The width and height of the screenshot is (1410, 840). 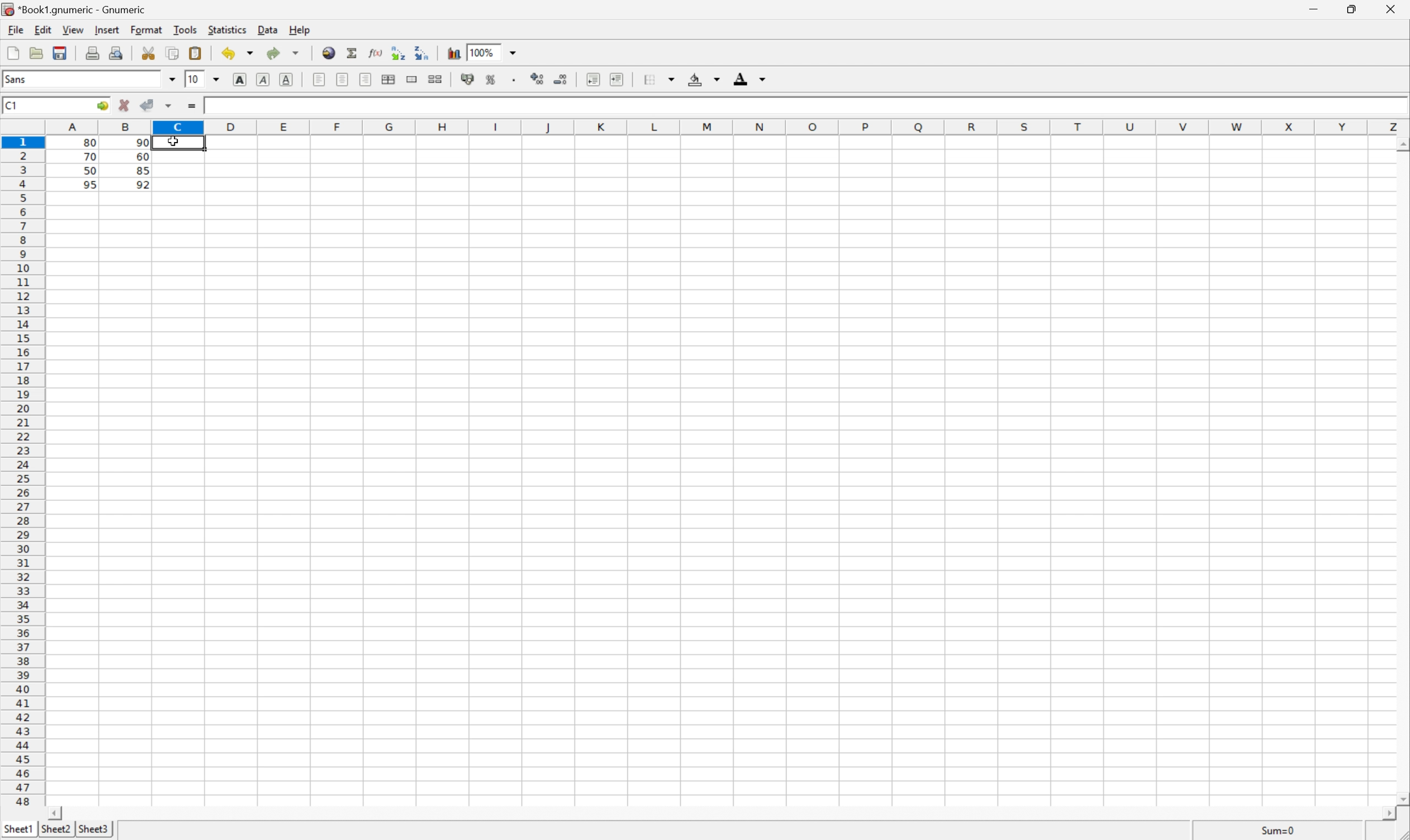 What do you see at coordinates (91, 53) in the screenshot?
I see `Print the current file` at bounding box center [91, 53].